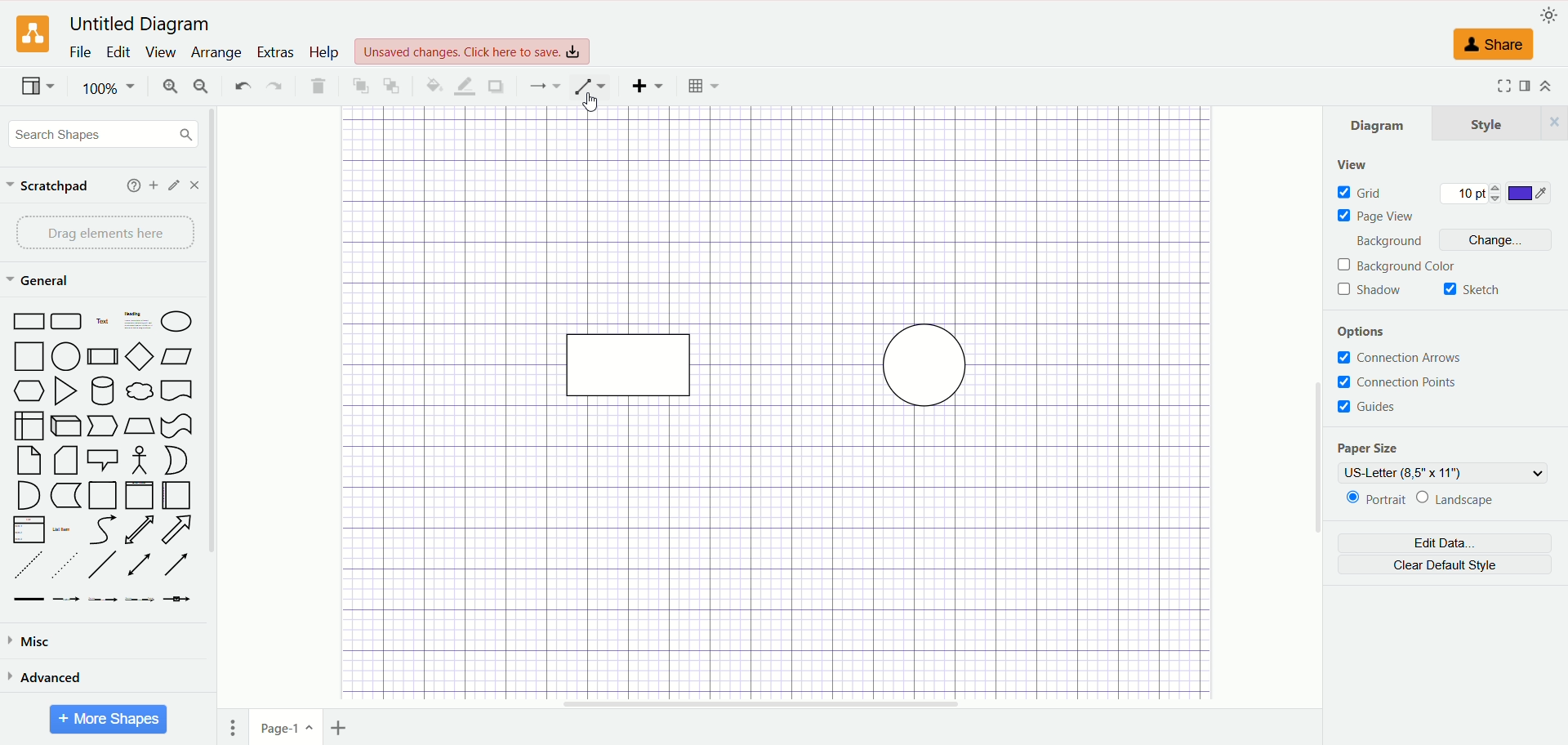 Image resolution: width=1568 pixels, height=745 pixels. Describe the element at coordinates (102, 321) in the screenshot. I see `Text` at that location.